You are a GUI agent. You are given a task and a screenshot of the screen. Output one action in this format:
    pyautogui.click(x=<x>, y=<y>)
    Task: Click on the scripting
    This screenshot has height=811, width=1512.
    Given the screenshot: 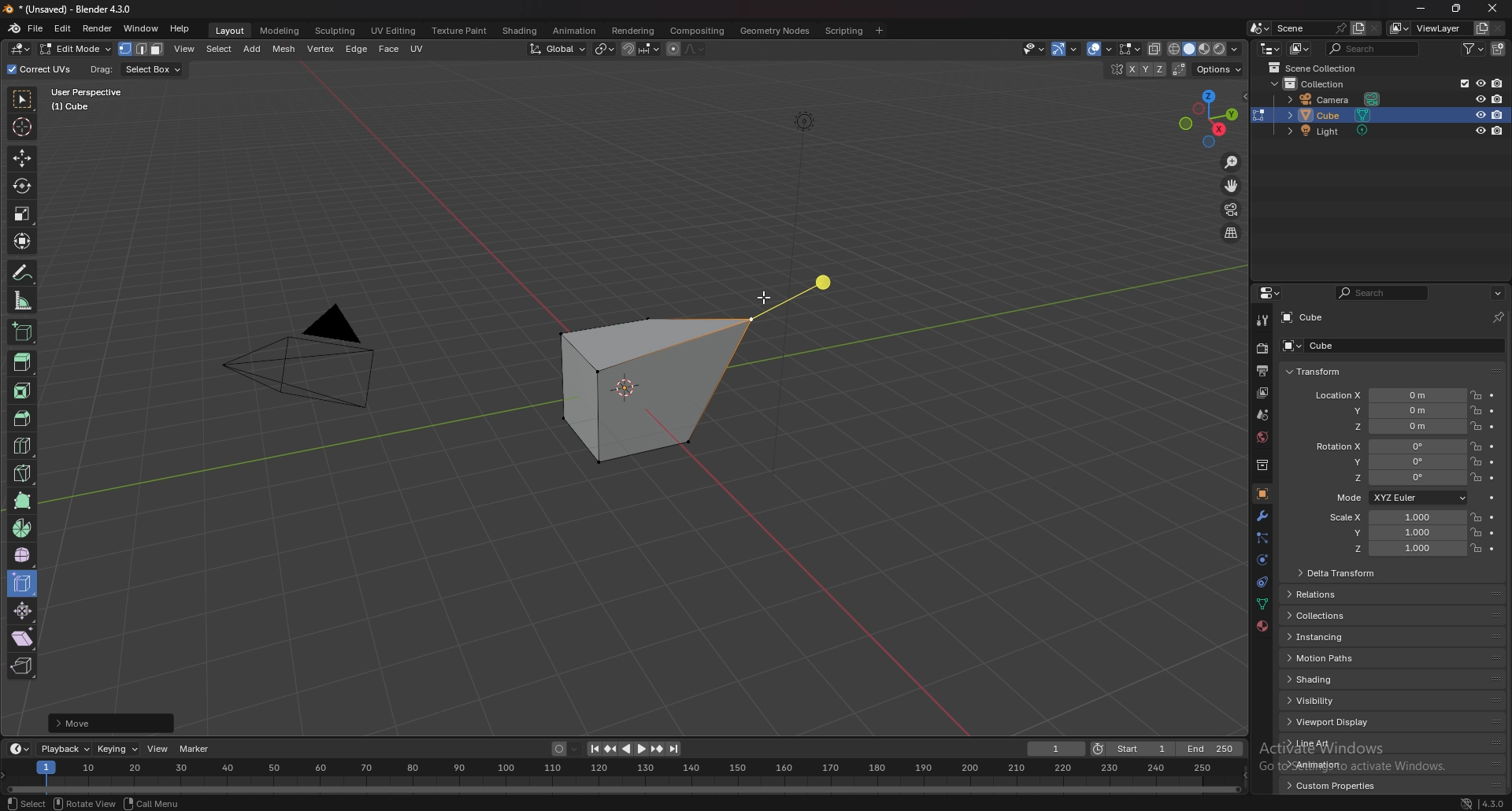 What is the action you would take?
    pyautogui.click(x=842, y=31)
    